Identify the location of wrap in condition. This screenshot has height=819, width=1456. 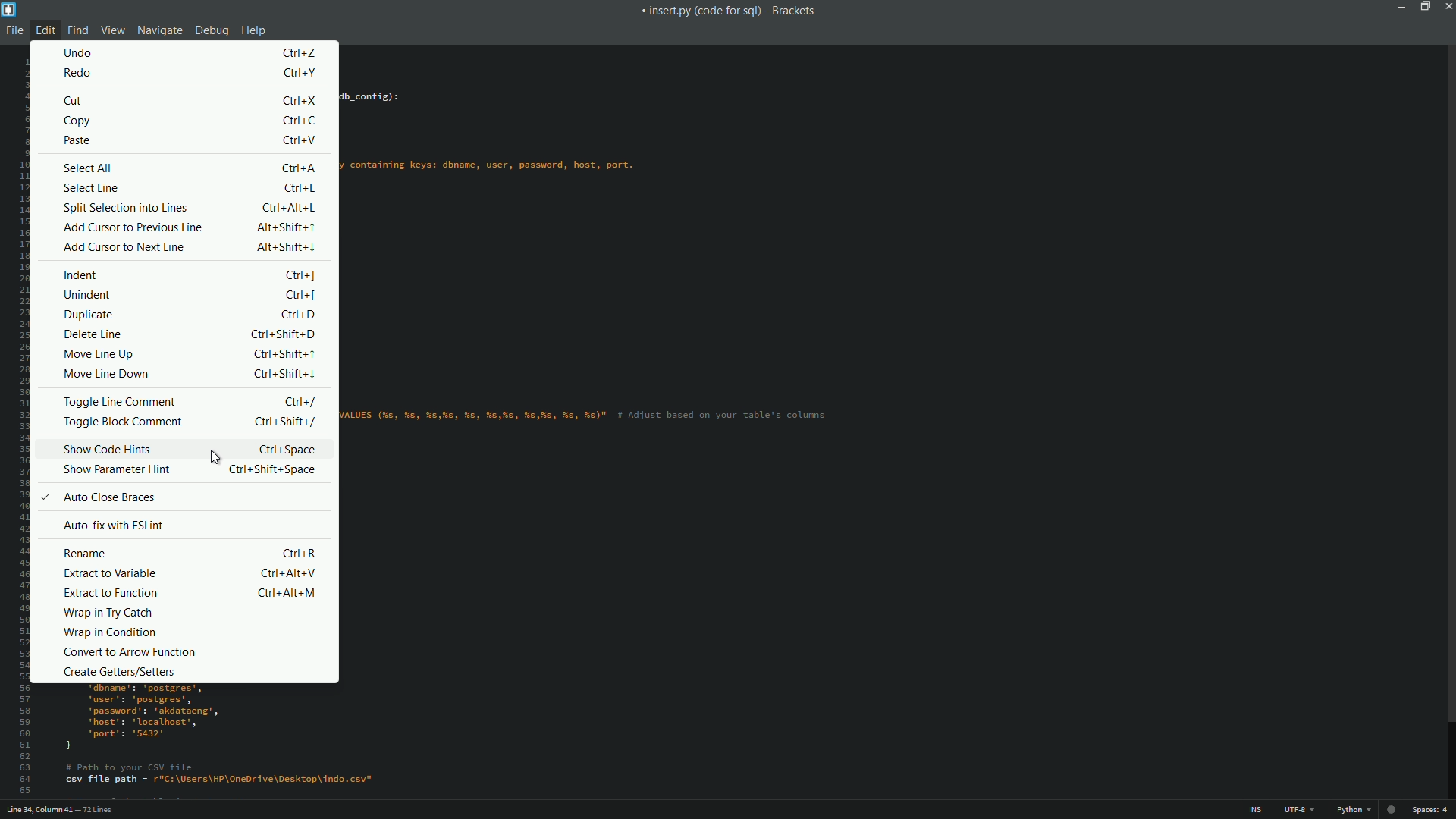
(110, 635).